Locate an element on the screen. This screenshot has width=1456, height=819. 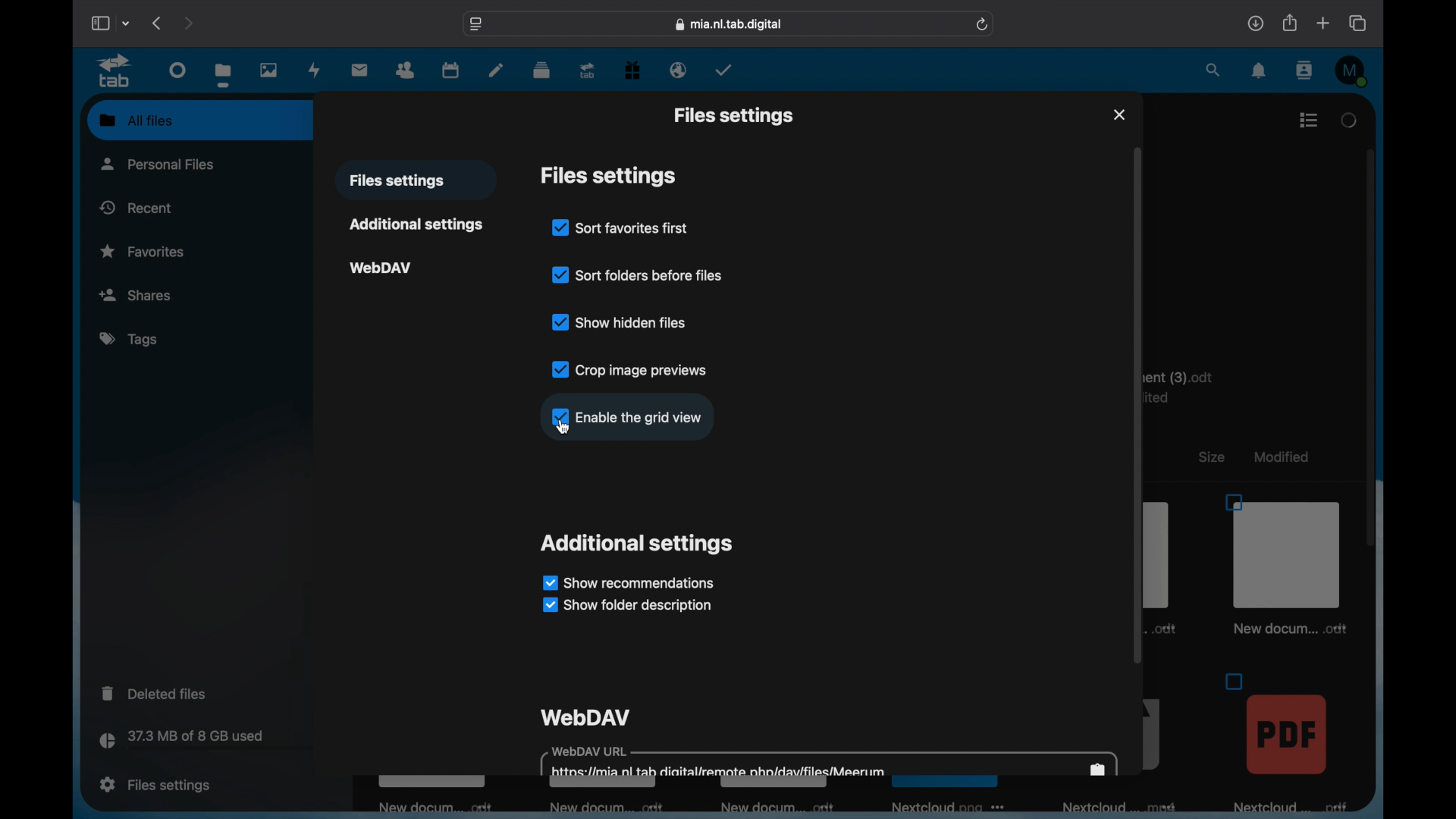
free trial is located at coordinates (632, 69).